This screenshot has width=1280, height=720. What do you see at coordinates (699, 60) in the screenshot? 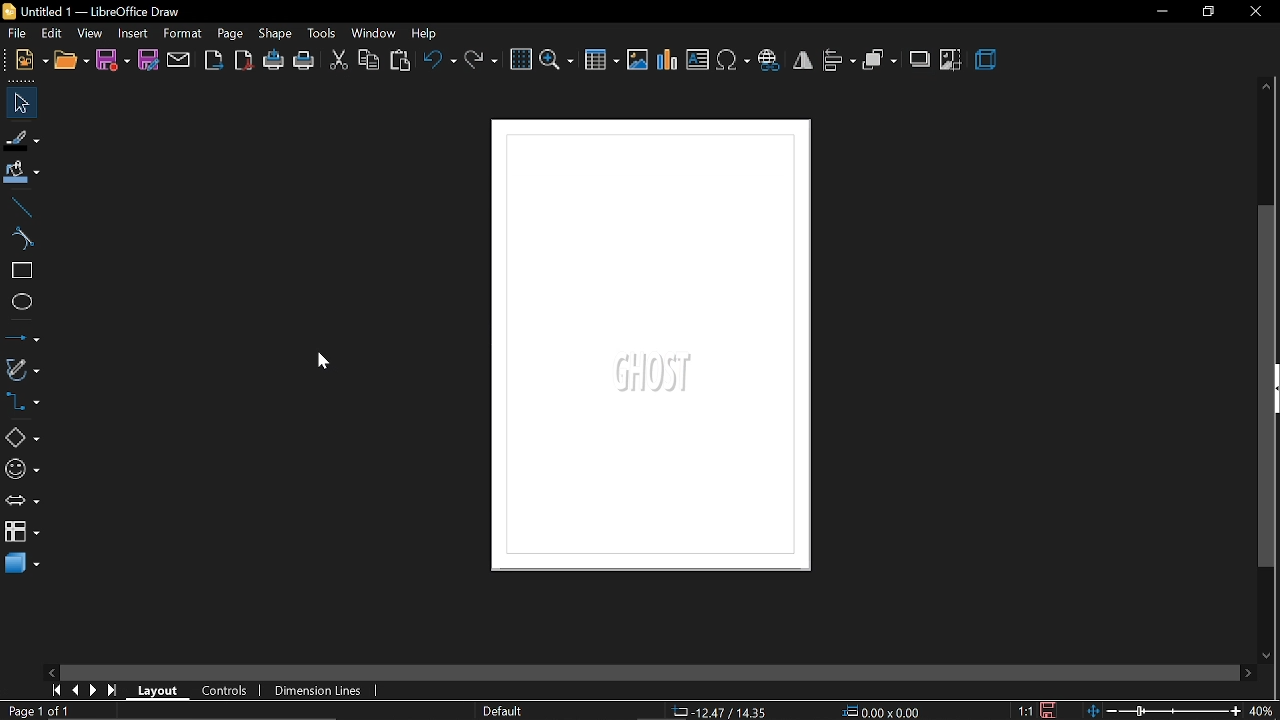
I see `insert text` at bounding box center [699, 60].